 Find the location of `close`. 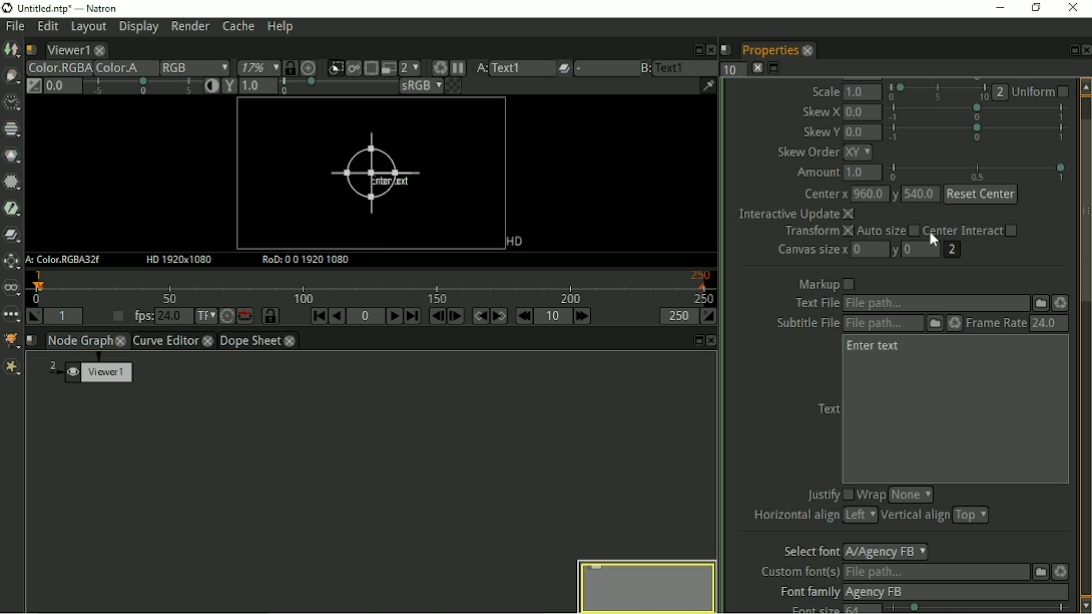

close is located at coordinates (122, 340).